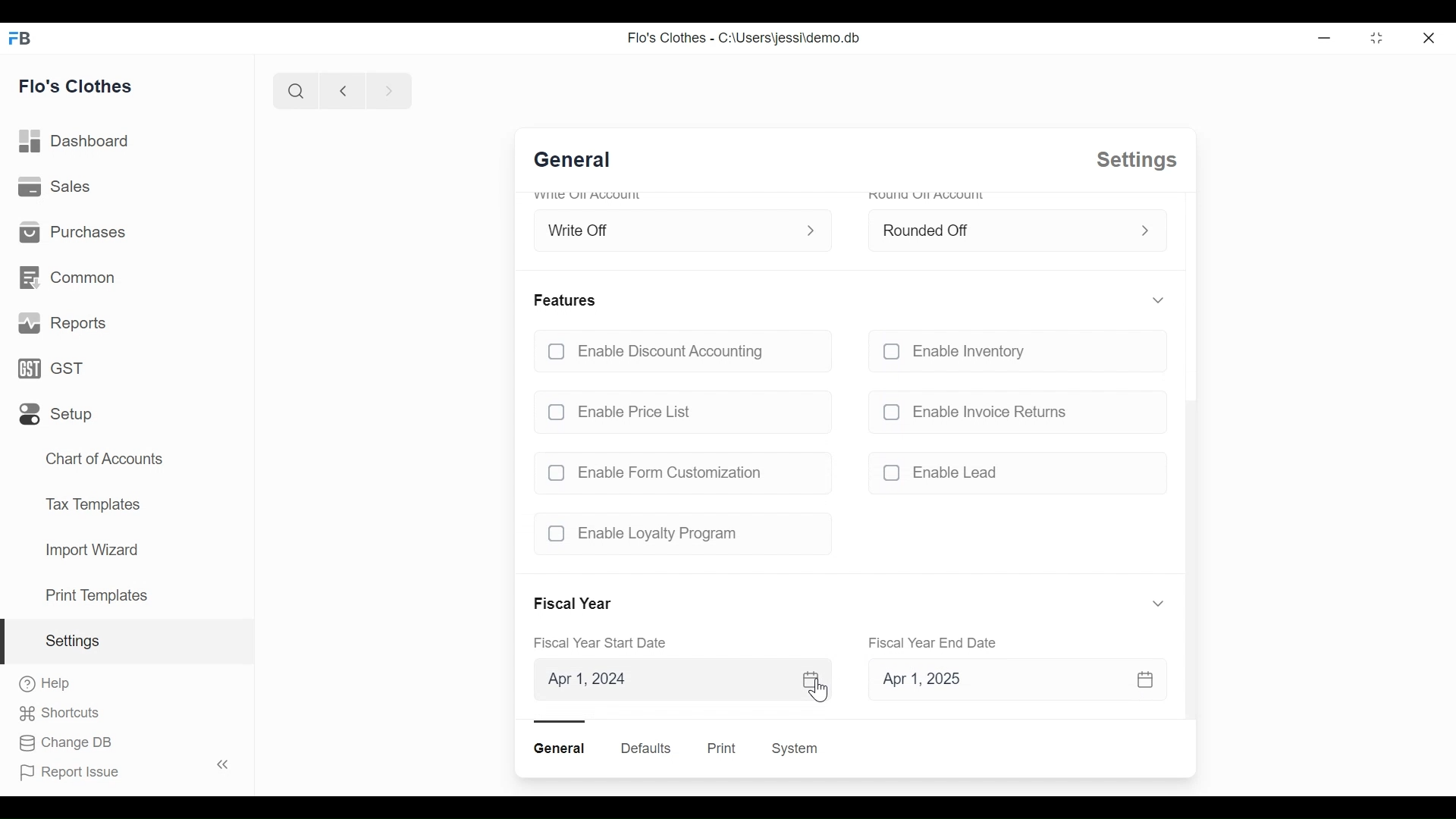 This screenshot has width=1456, height=819. I want to click on Flo's Clothes - C:\Users\jessi\demo.db, so click(742, 38).